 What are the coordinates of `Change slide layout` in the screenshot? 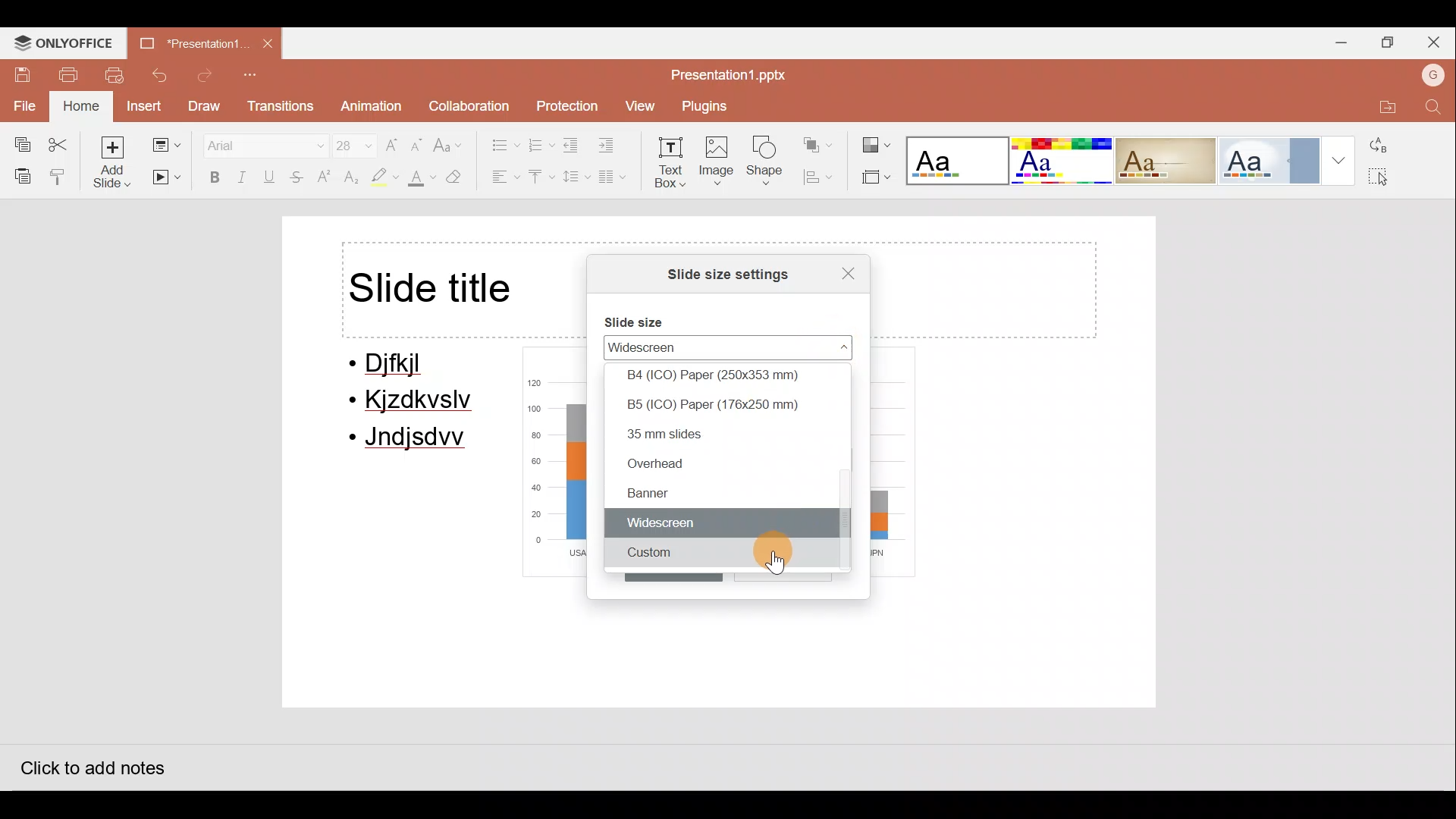 It's located at (165, 142).